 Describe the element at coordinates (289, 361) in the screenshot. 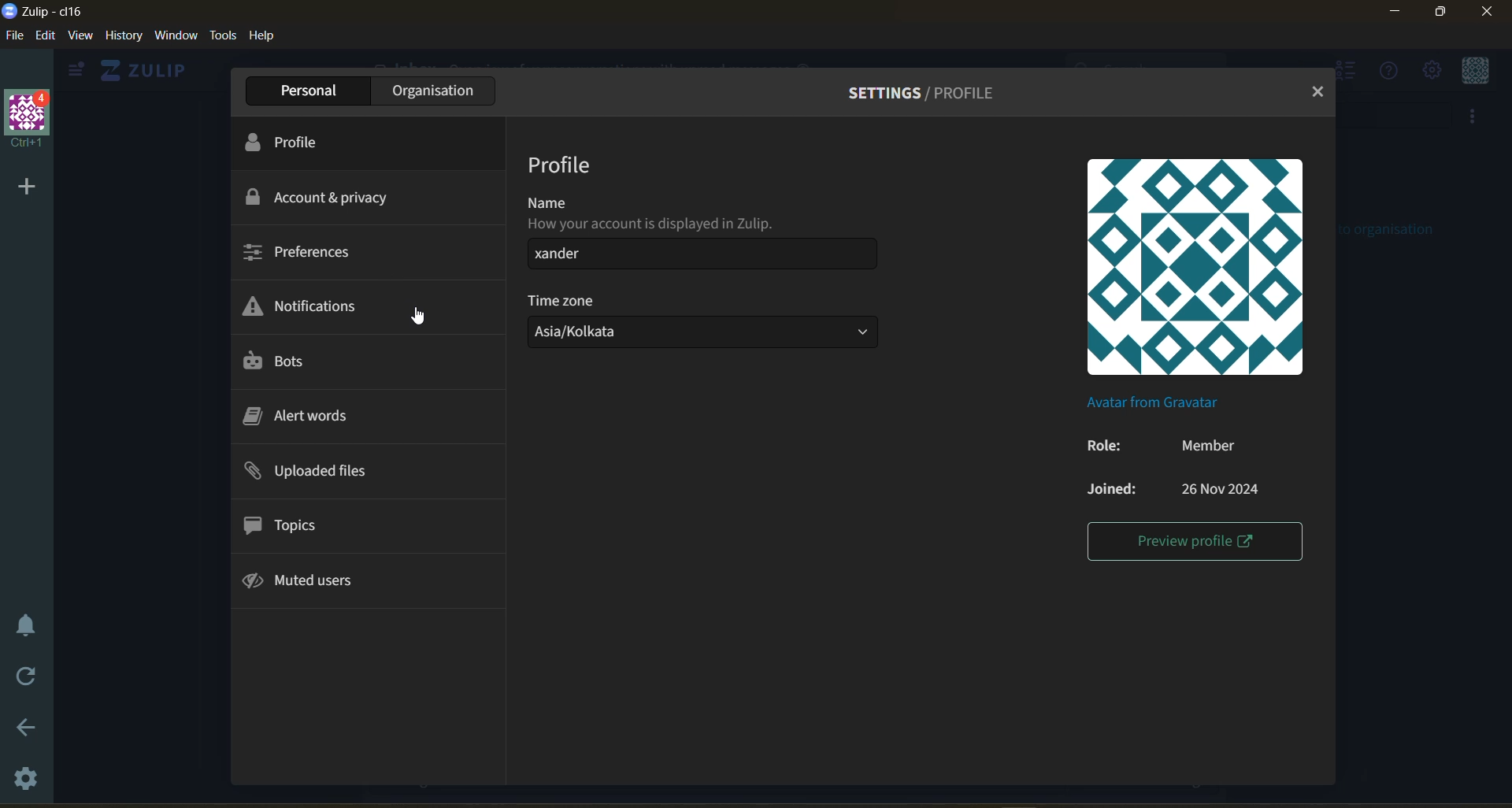

I see `bots` at that location.